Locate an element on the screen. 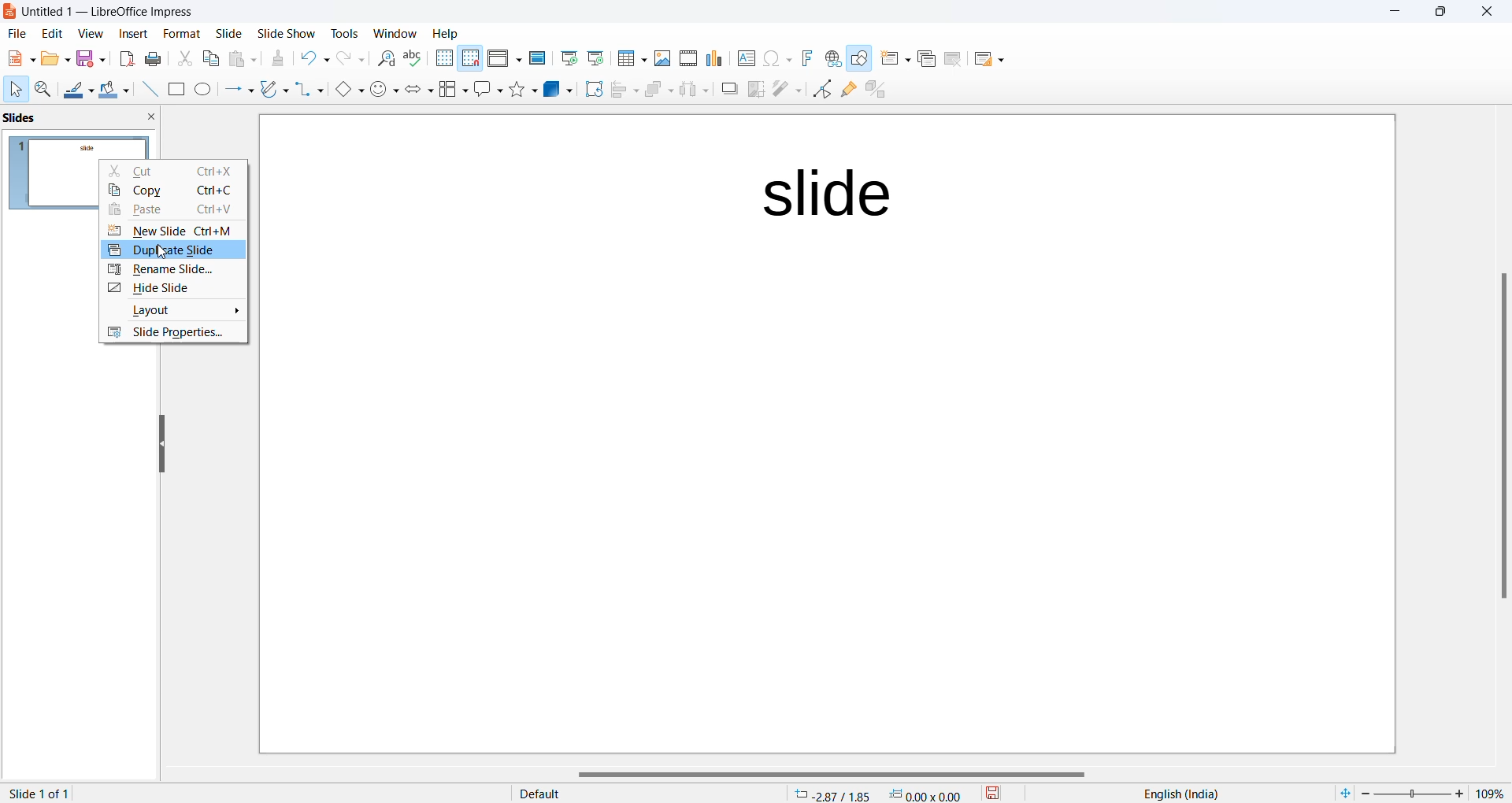 This screenshot has width=1512, height=803. page template is located at coordinates (828, 435).